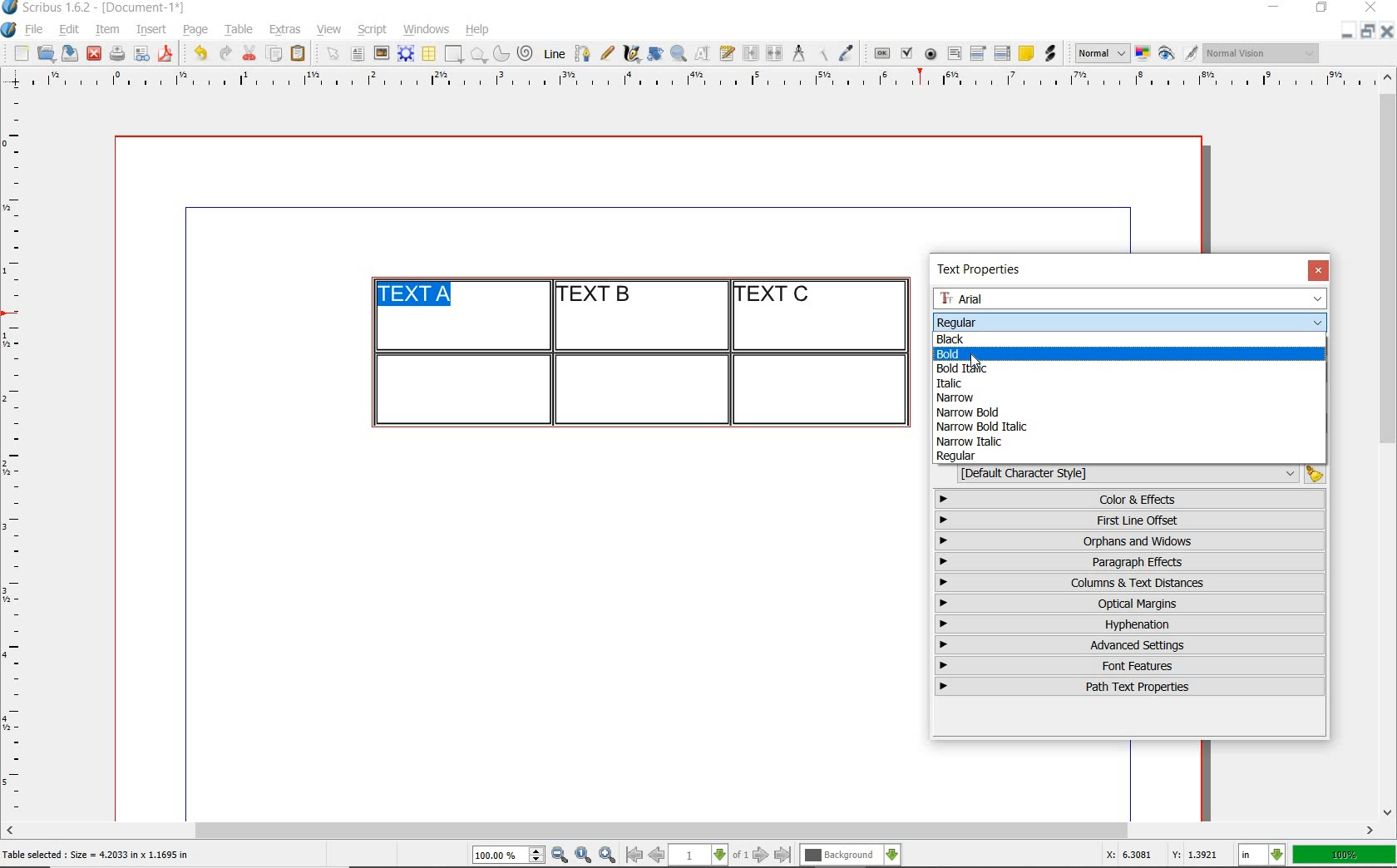 The width and height of the screenshot is (1397, 868). Describe the element at coordinates (1128, 644) in the screenshot. I see `advanced settings` at that location.